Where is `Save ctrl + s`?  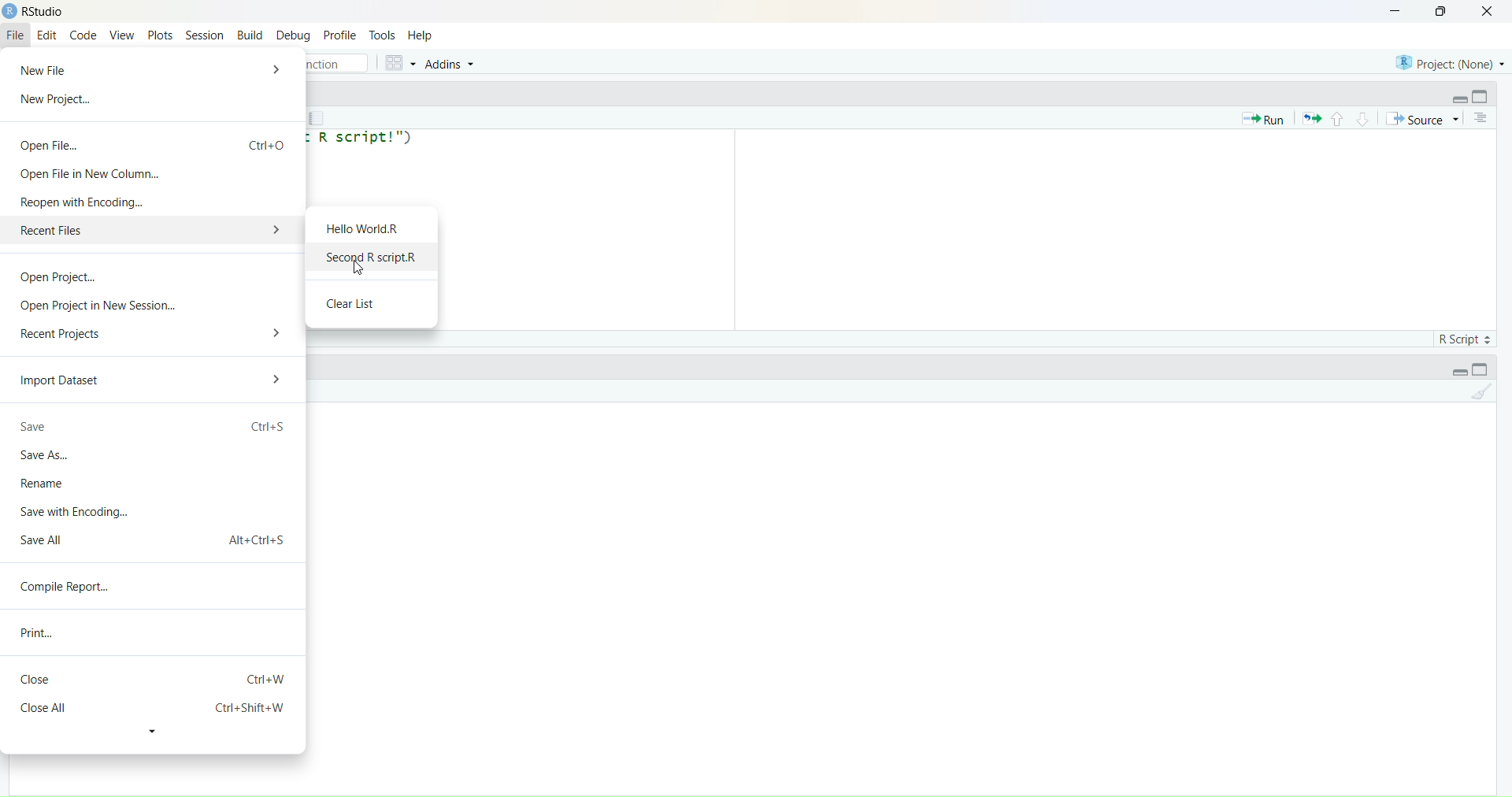
Save ctrl + s is located at coordinates (154, 428).